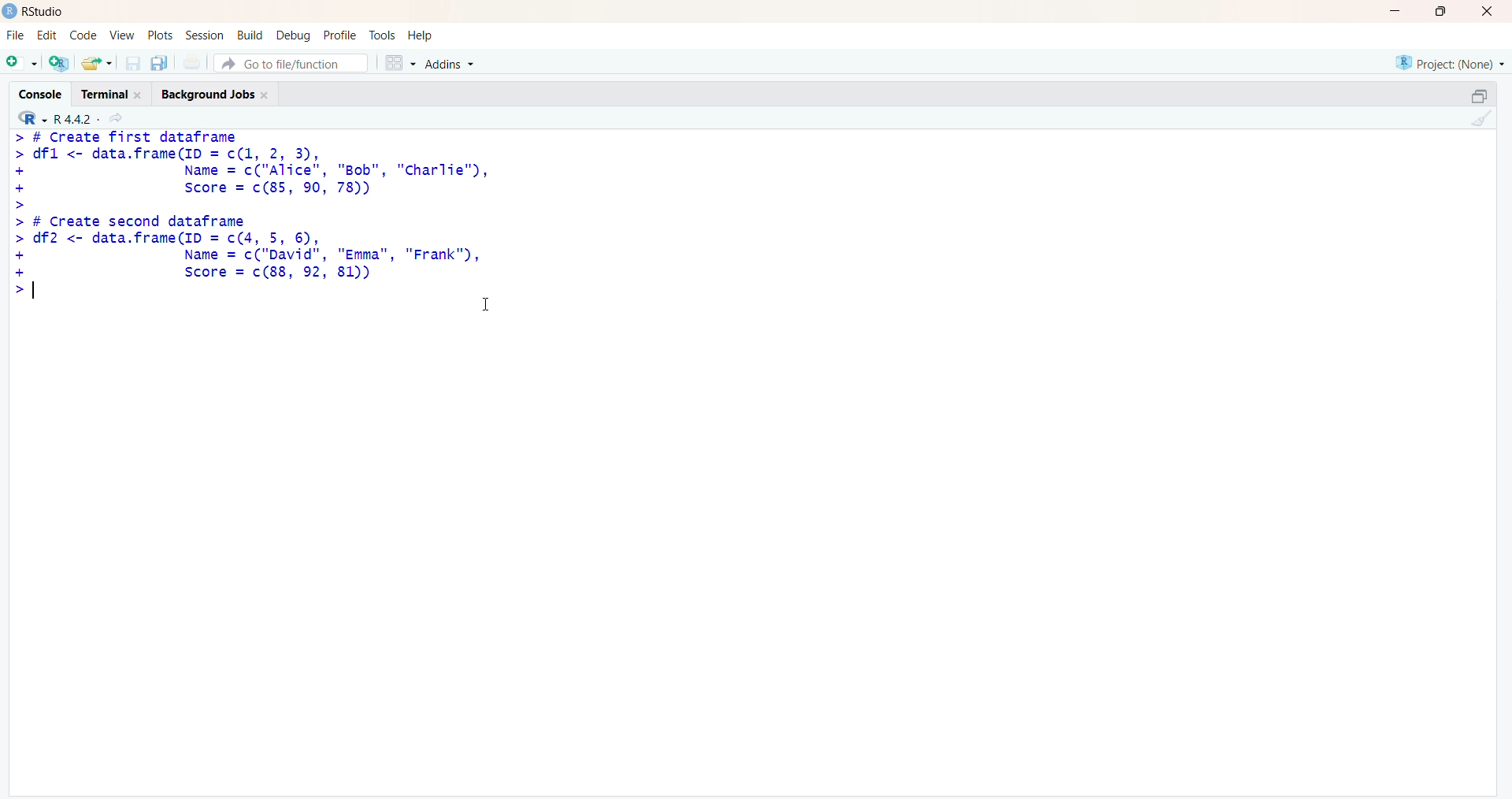 The image size is (1512, 799). Describe the element at coordinates (23, 64) in the screenshot. I see `new file` at that location.